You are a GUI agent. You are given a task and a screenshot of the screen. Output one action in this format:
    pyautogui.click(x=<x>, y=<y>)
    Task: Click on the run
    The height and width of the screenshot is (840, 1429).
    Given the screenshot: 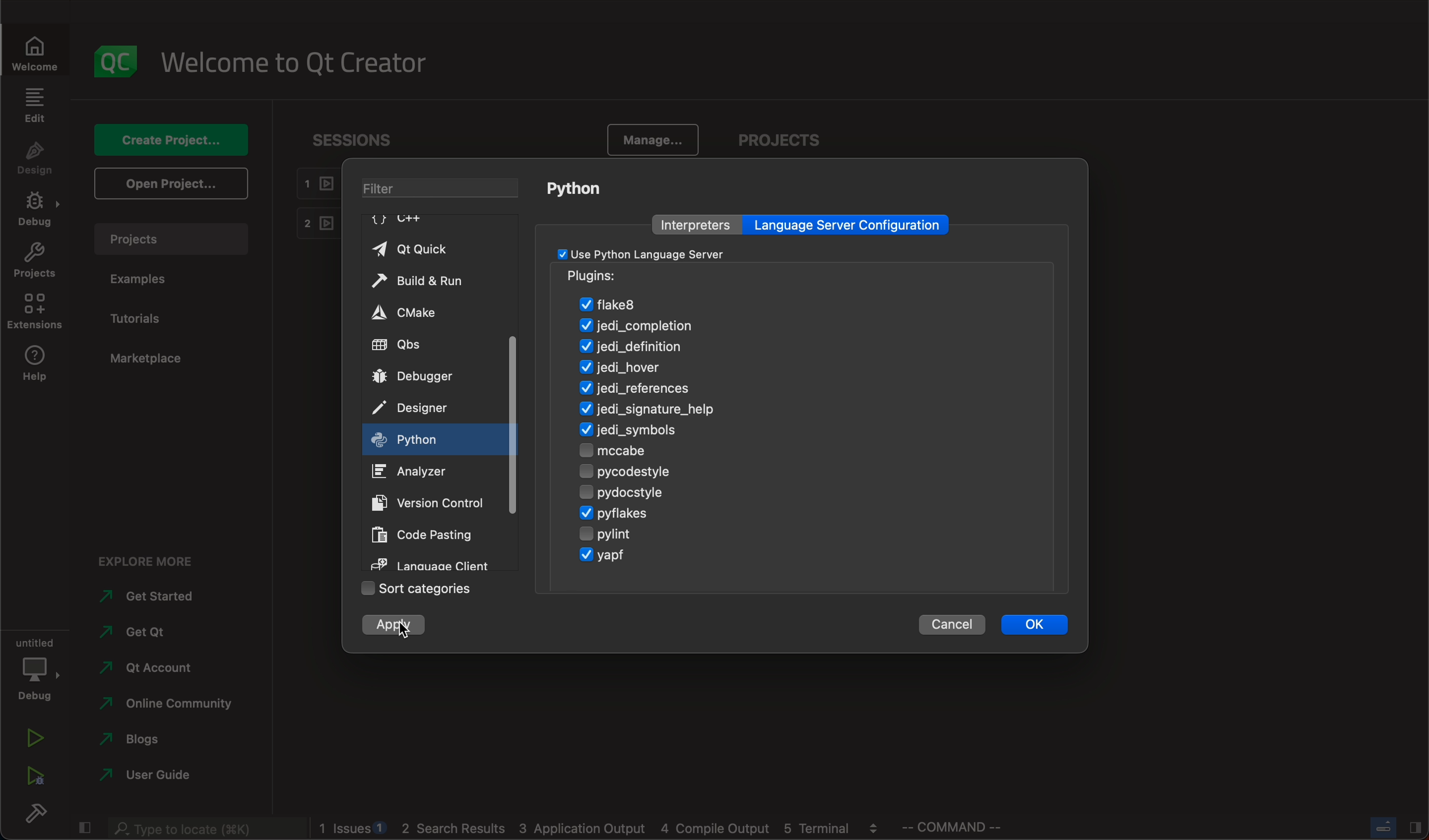 What is the action you would take?
    pyautogui.click(x=37, y=740)
    